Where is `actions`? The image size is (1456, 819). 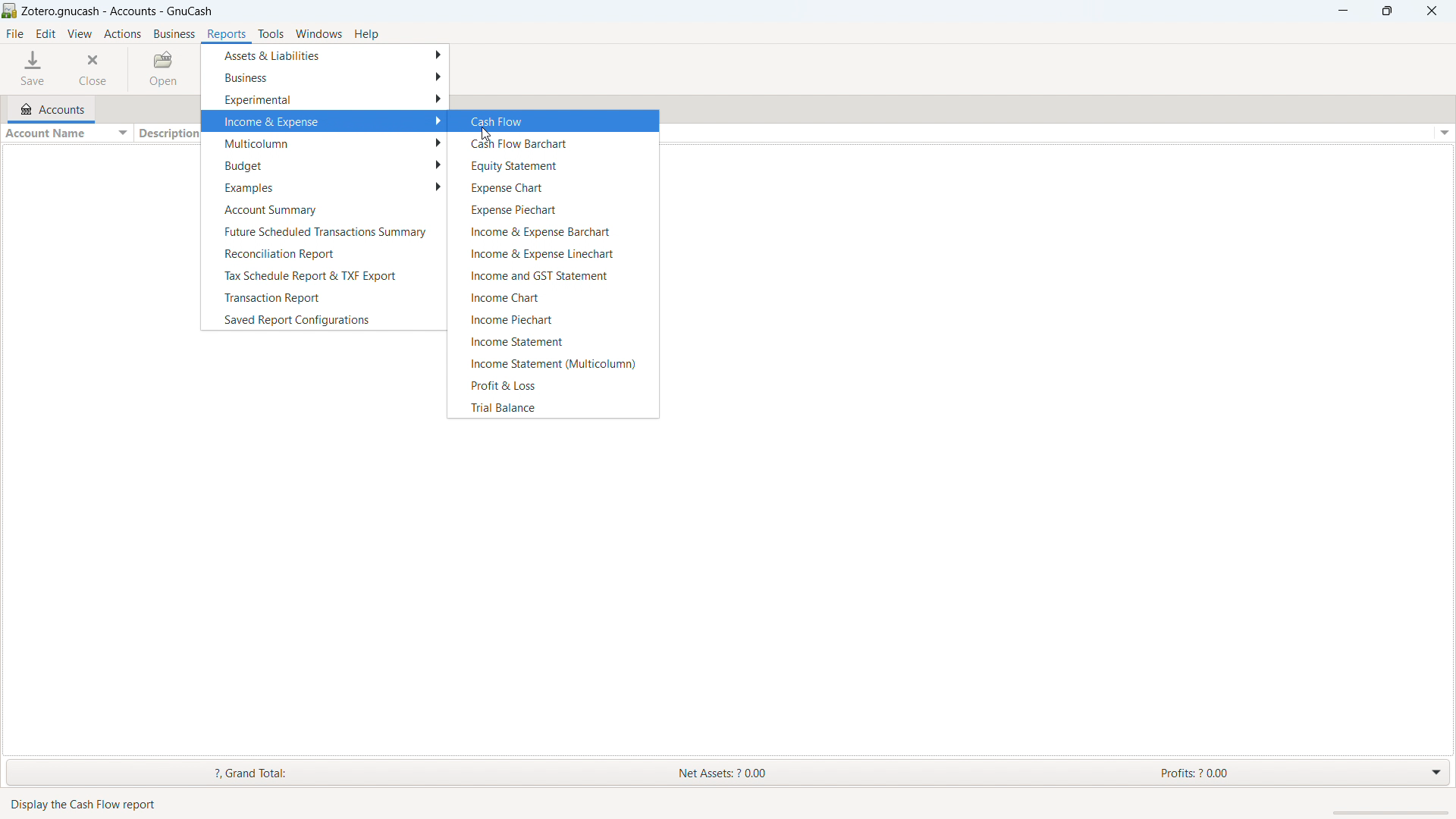 actions is located at coordinates (123, 34).